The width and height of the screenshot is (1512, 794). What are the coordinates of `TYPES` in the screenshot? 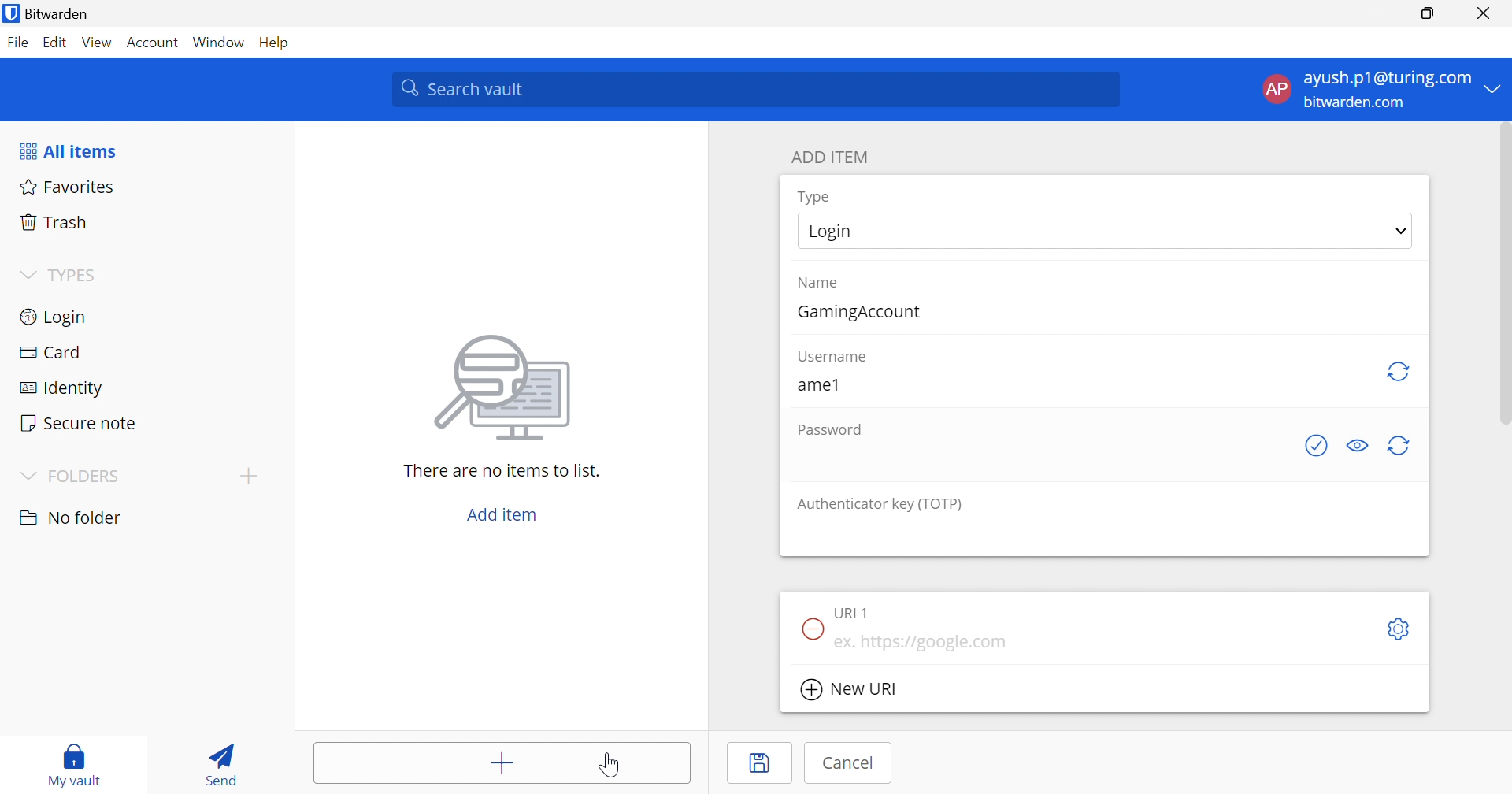 It's located at (77, 274).